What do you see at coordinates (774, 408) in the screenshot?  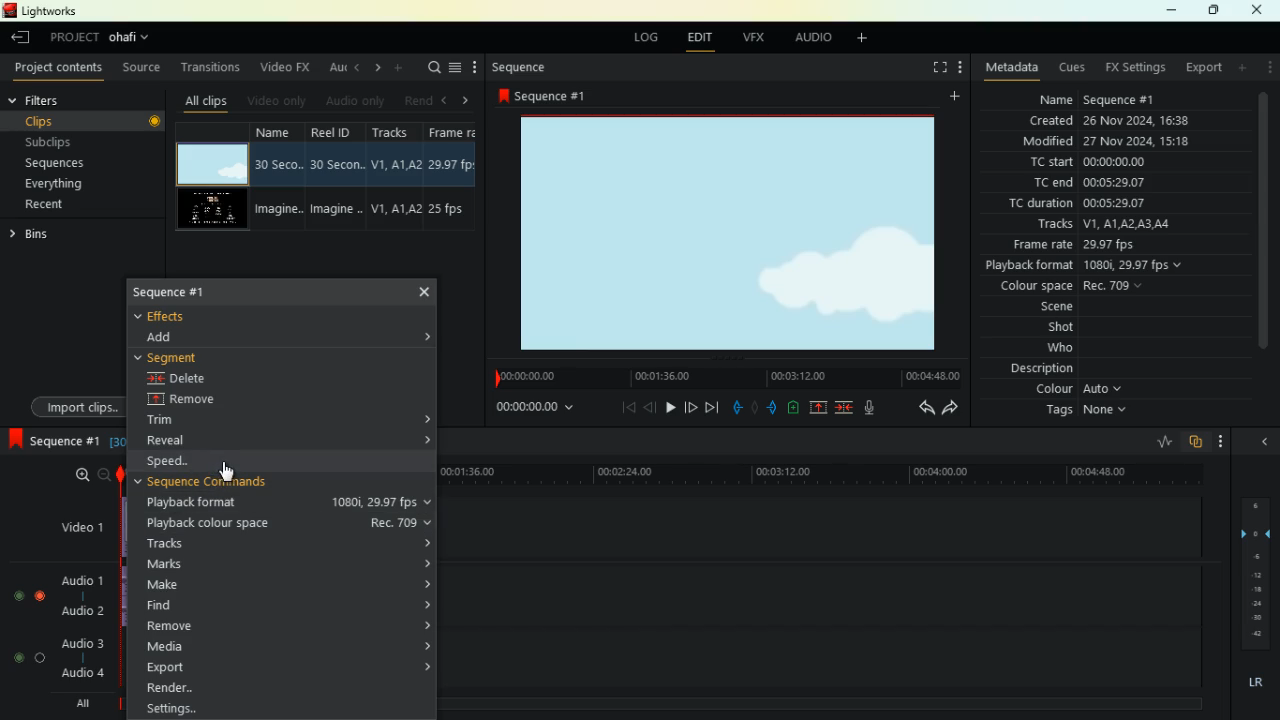 I see `push` at bounding box center [774, 408].